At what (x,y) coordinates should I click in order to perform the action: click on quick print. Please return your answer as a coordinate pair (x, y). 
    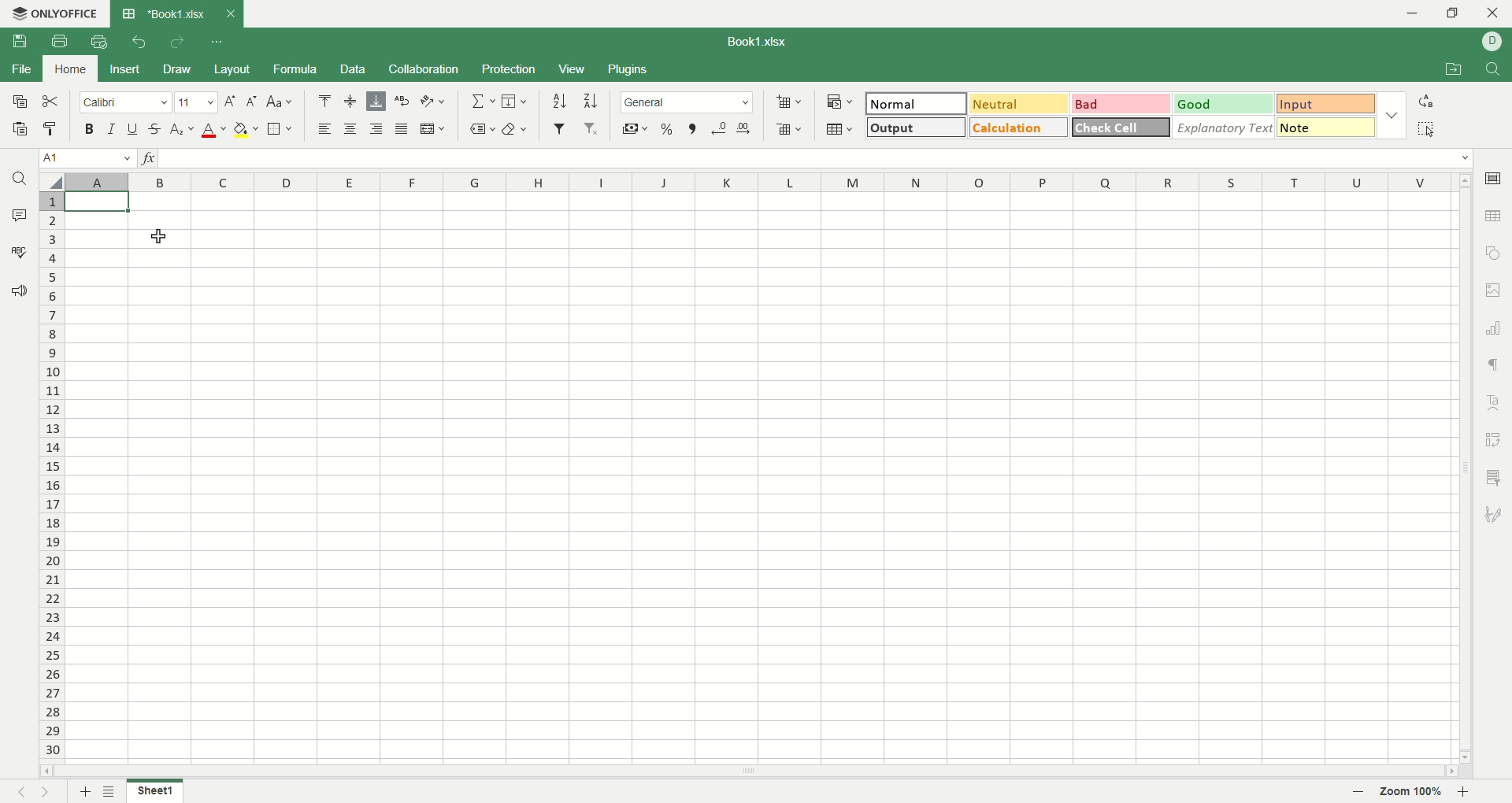
    Looking at the image, I should click on (98, 42).